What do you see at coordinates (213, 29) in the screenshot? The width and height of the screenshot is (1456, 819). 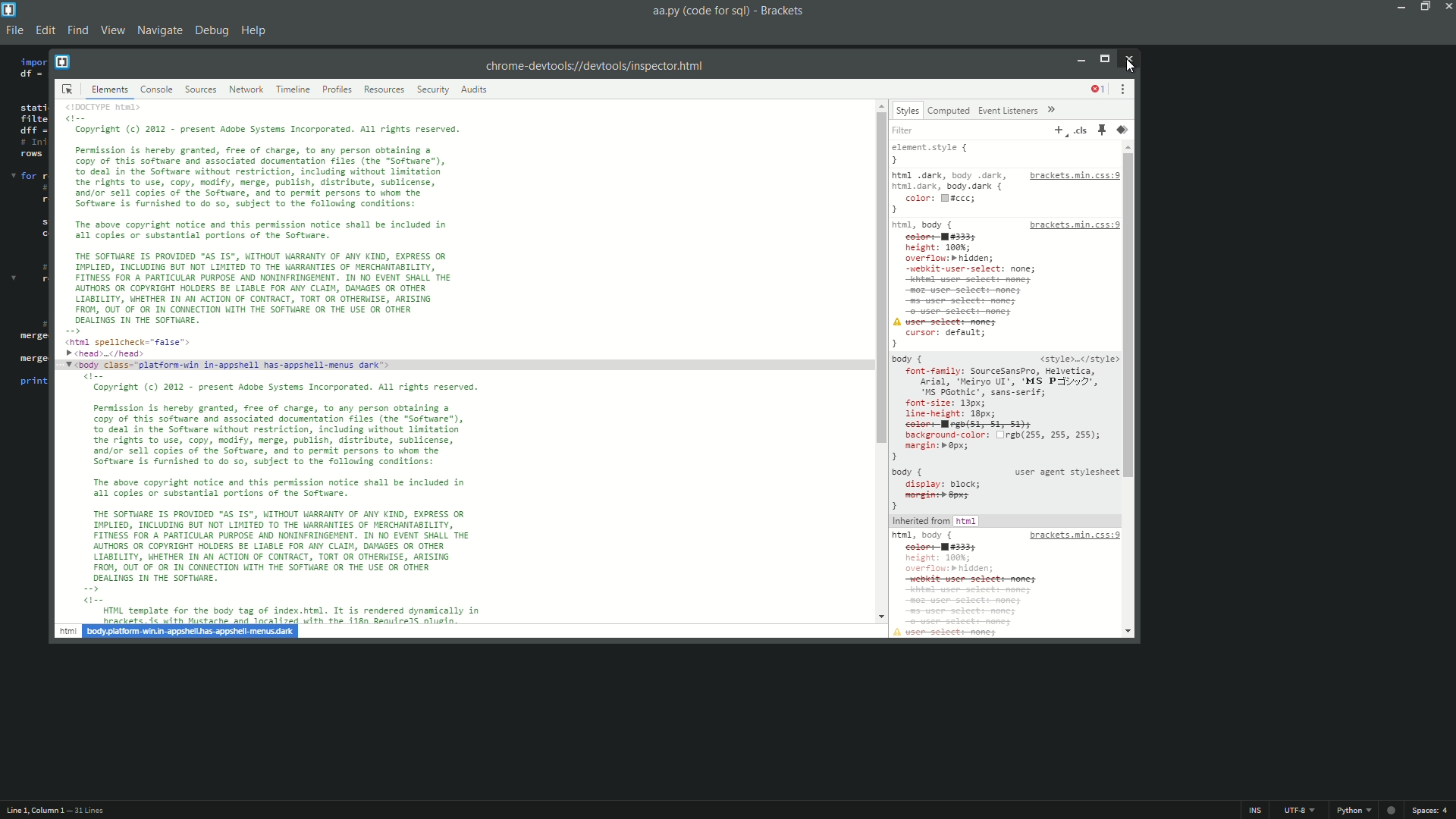 I see `debug` at bounding box center [213, 29].